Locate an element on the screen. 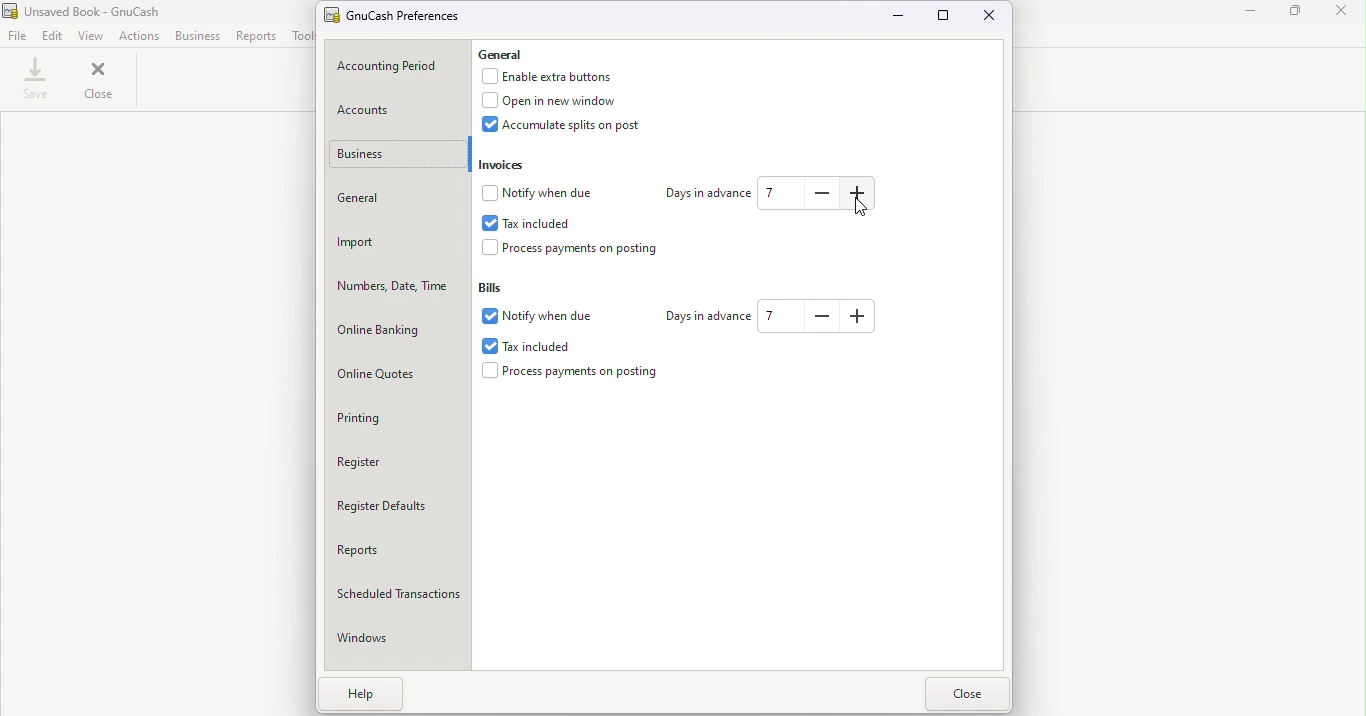  Minimize is located at coordinates (903, 18).